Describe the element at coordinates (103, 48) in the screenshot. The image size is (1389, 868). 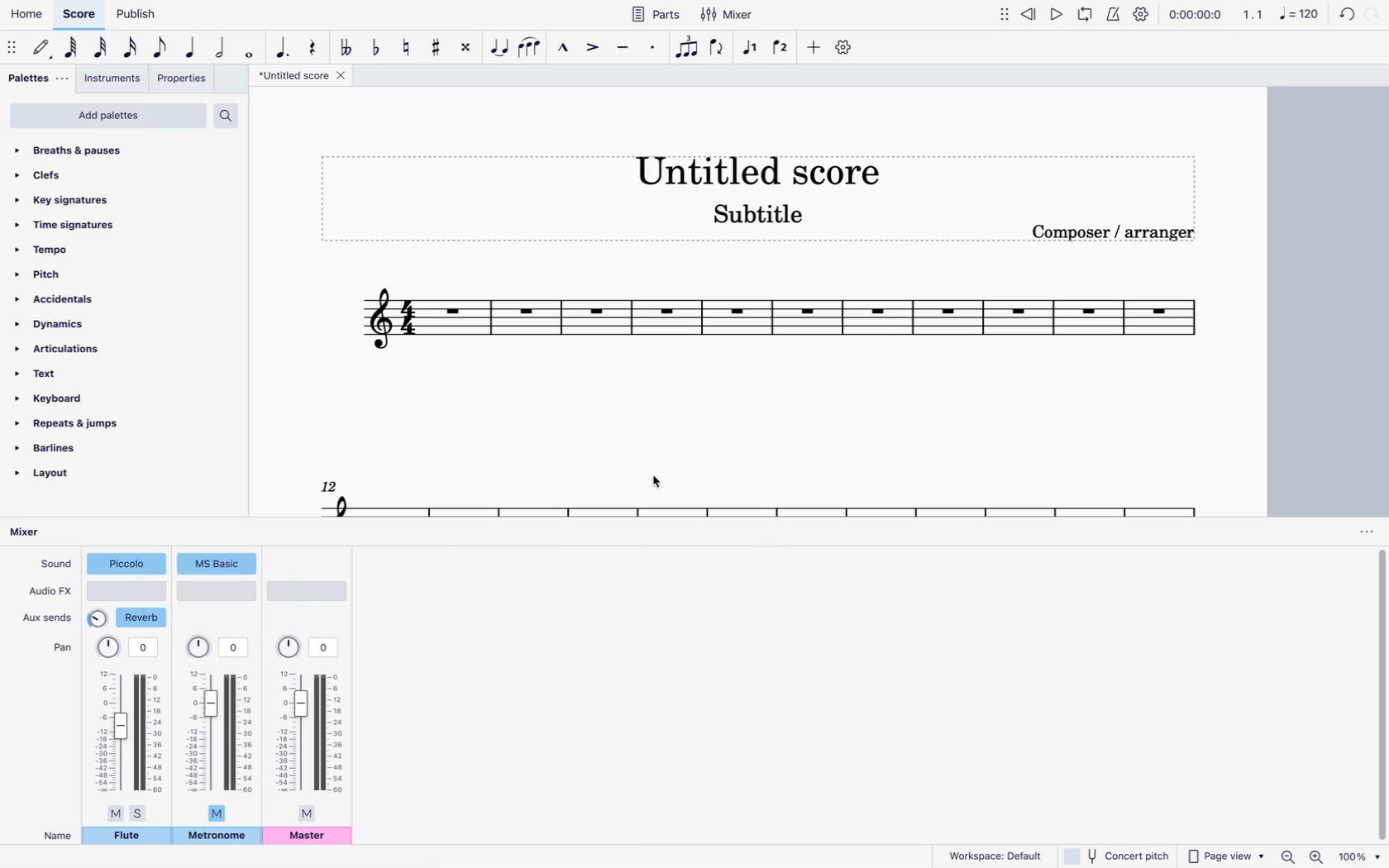
I see `32nd note` at that location.